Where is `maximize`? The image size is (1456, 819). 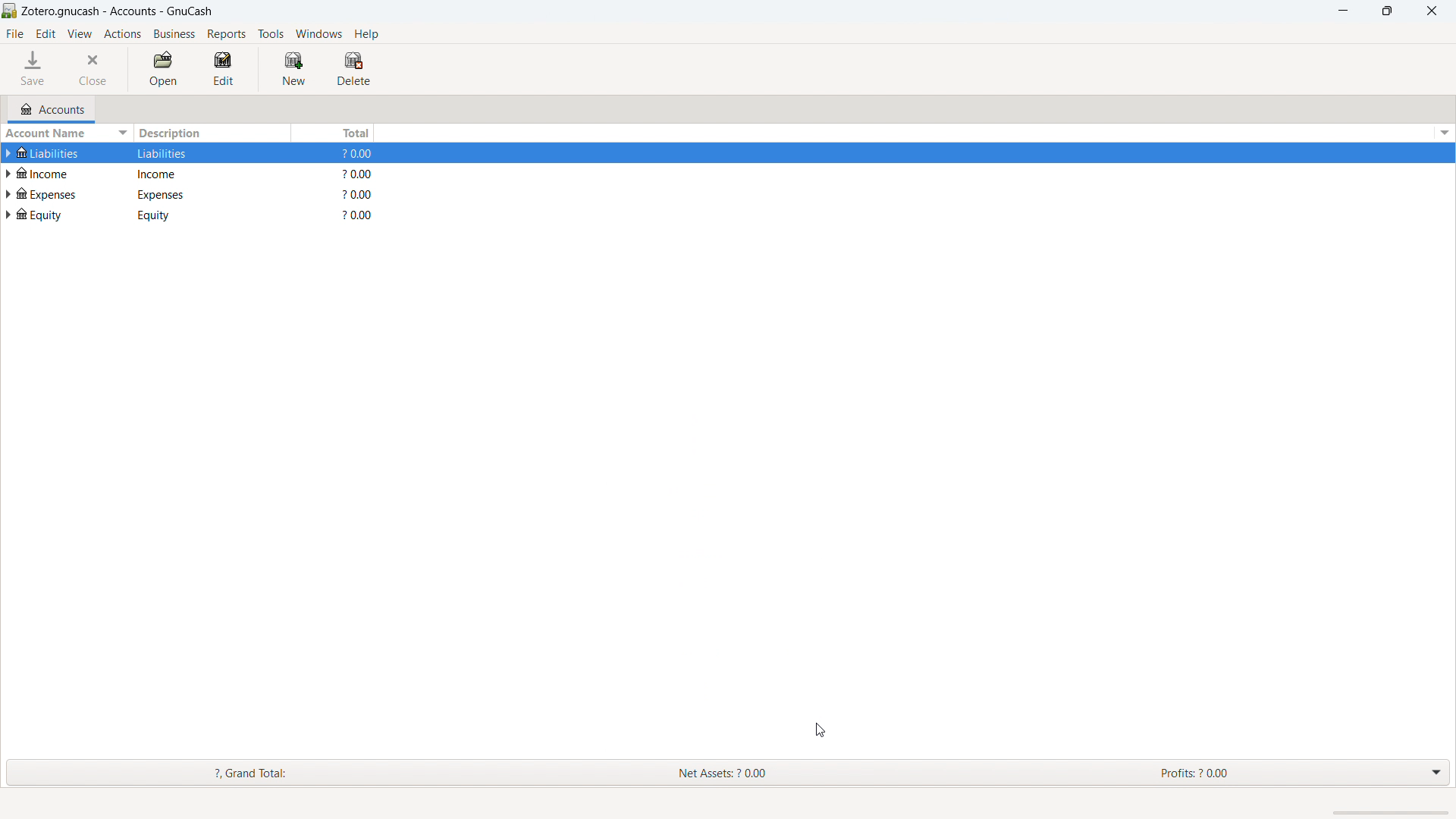 maximize is located at coordinates (1387, 10).